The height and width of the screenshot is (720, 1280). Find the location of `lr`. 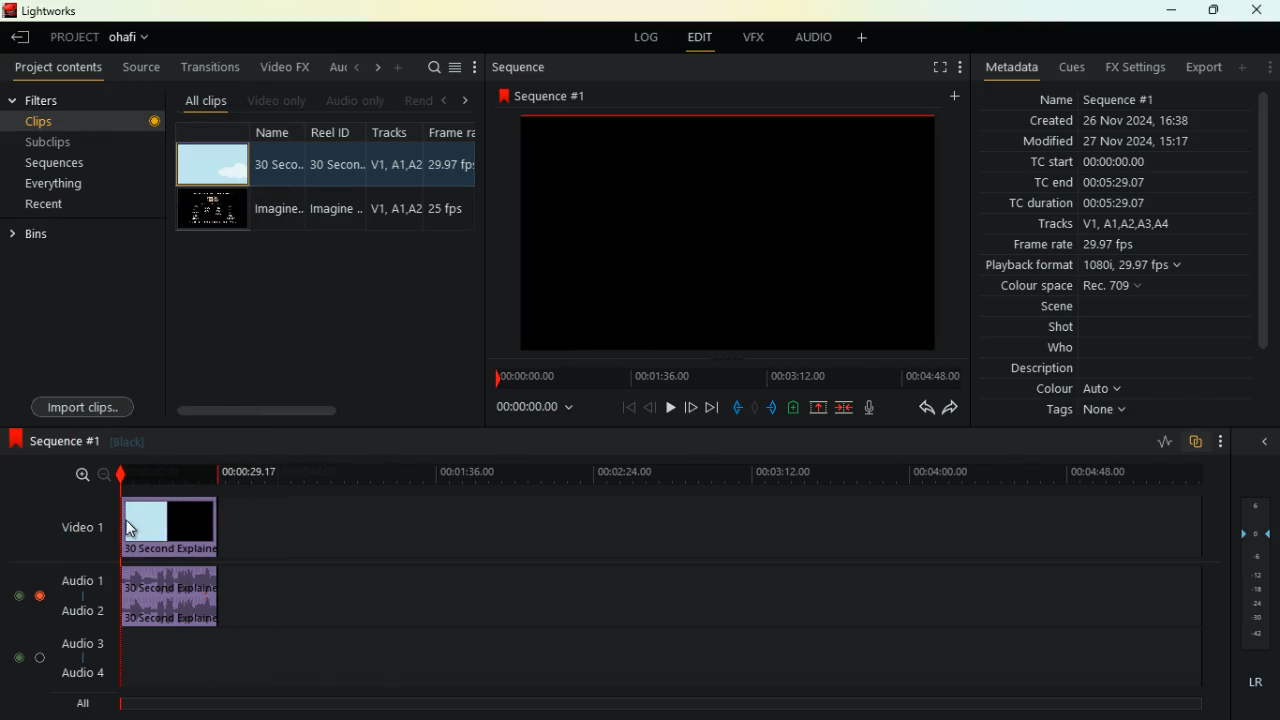

lr is located at coordinates (1251, 683).